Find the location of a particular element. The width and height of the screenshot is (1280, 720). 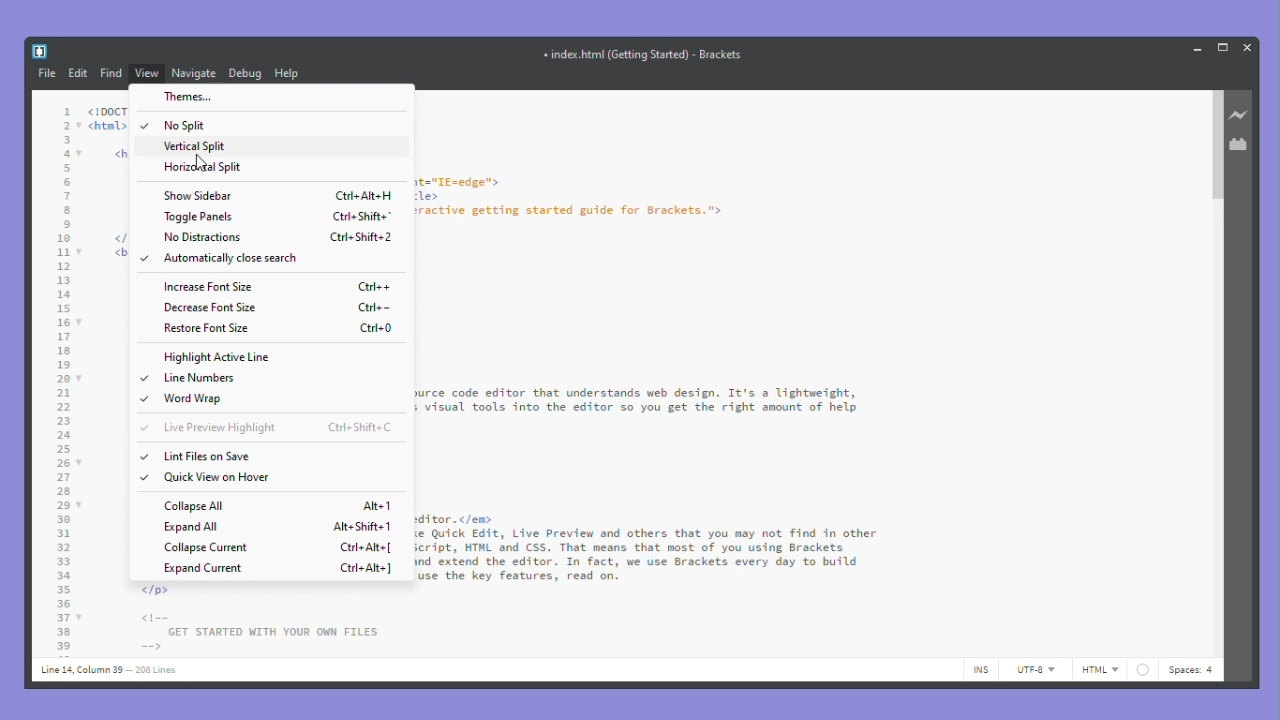

code fold is located at coordinates (80, 506).